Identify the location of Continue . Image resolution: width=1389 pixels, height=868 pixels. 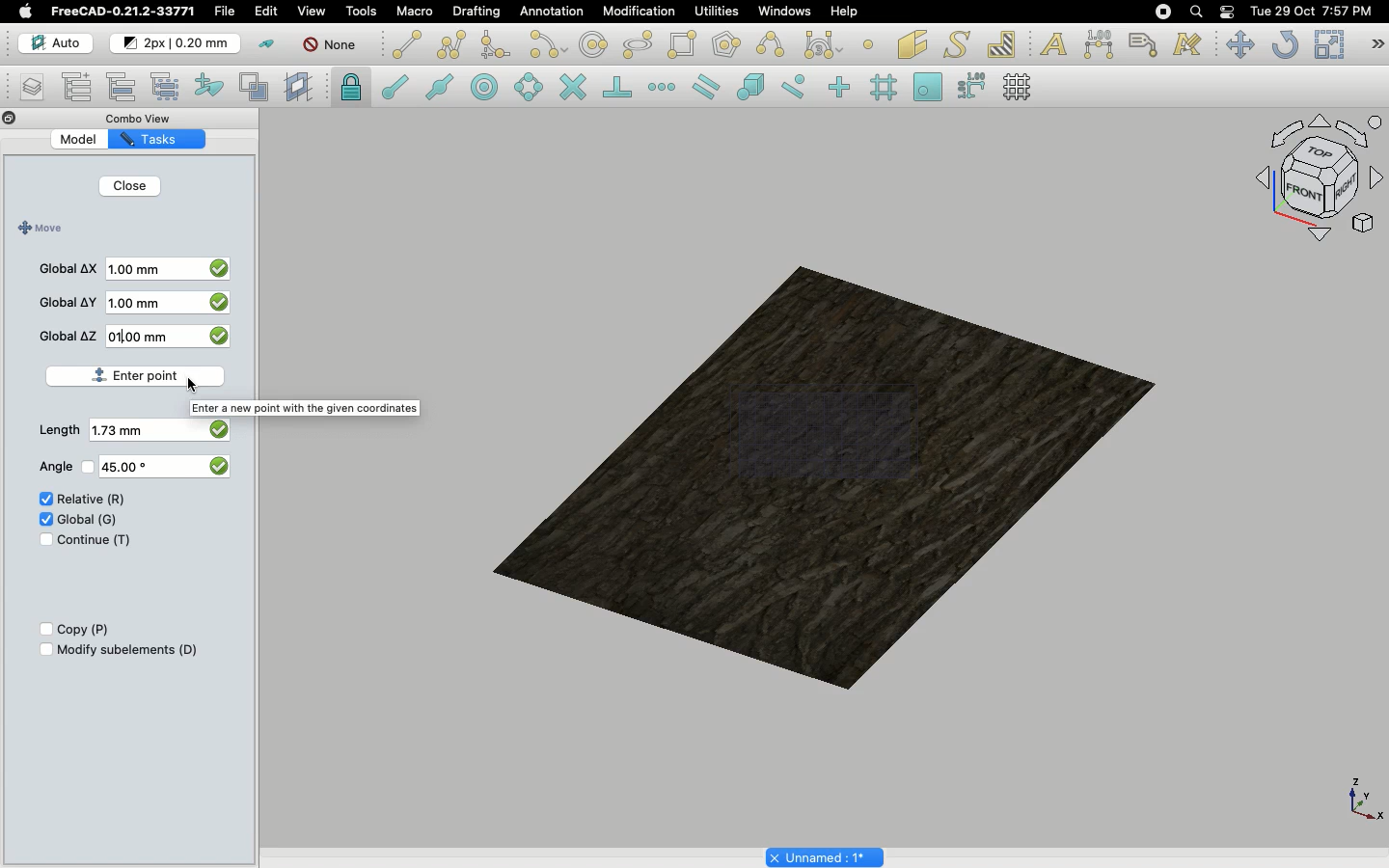
(95, 540).